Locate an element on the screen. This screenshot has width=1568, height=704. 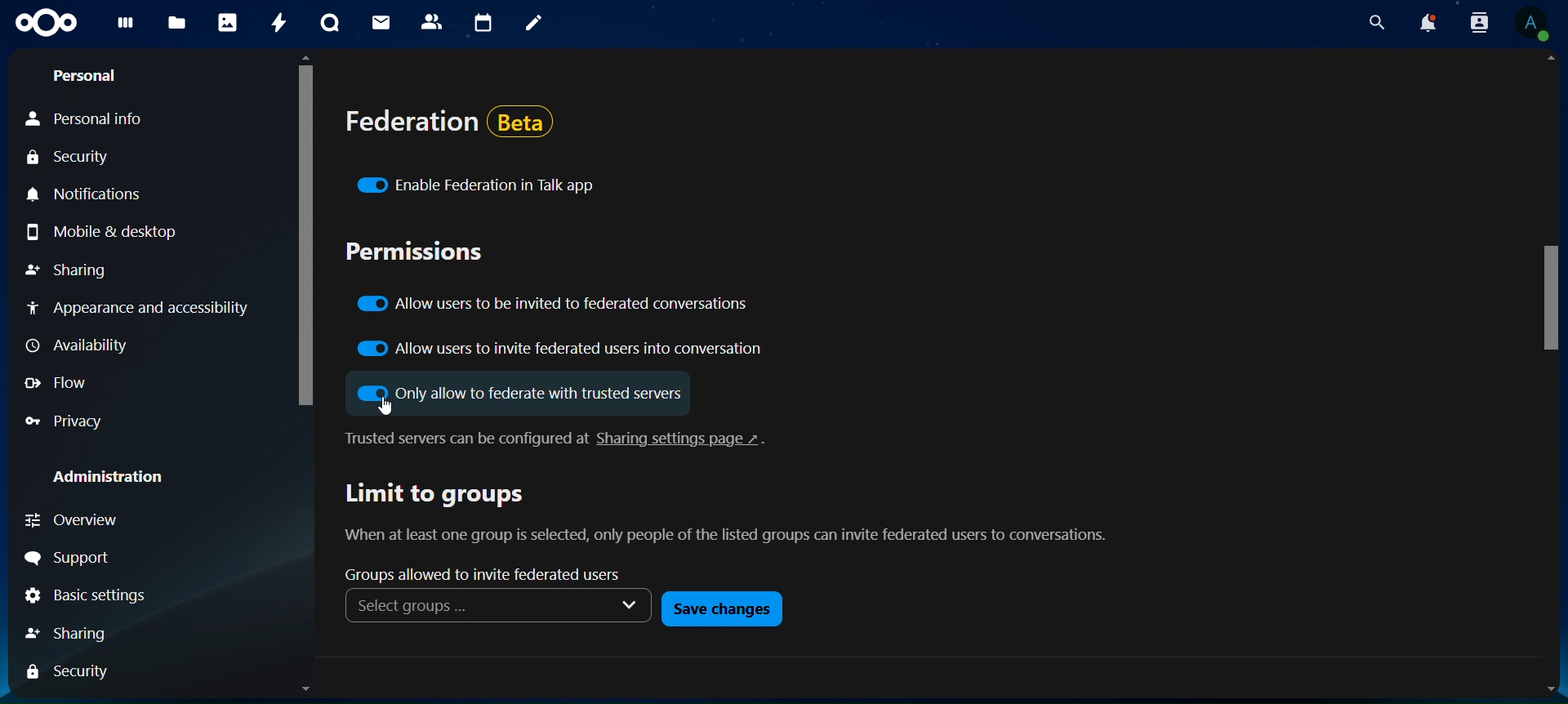
activity is located at coordinates (281, 25).